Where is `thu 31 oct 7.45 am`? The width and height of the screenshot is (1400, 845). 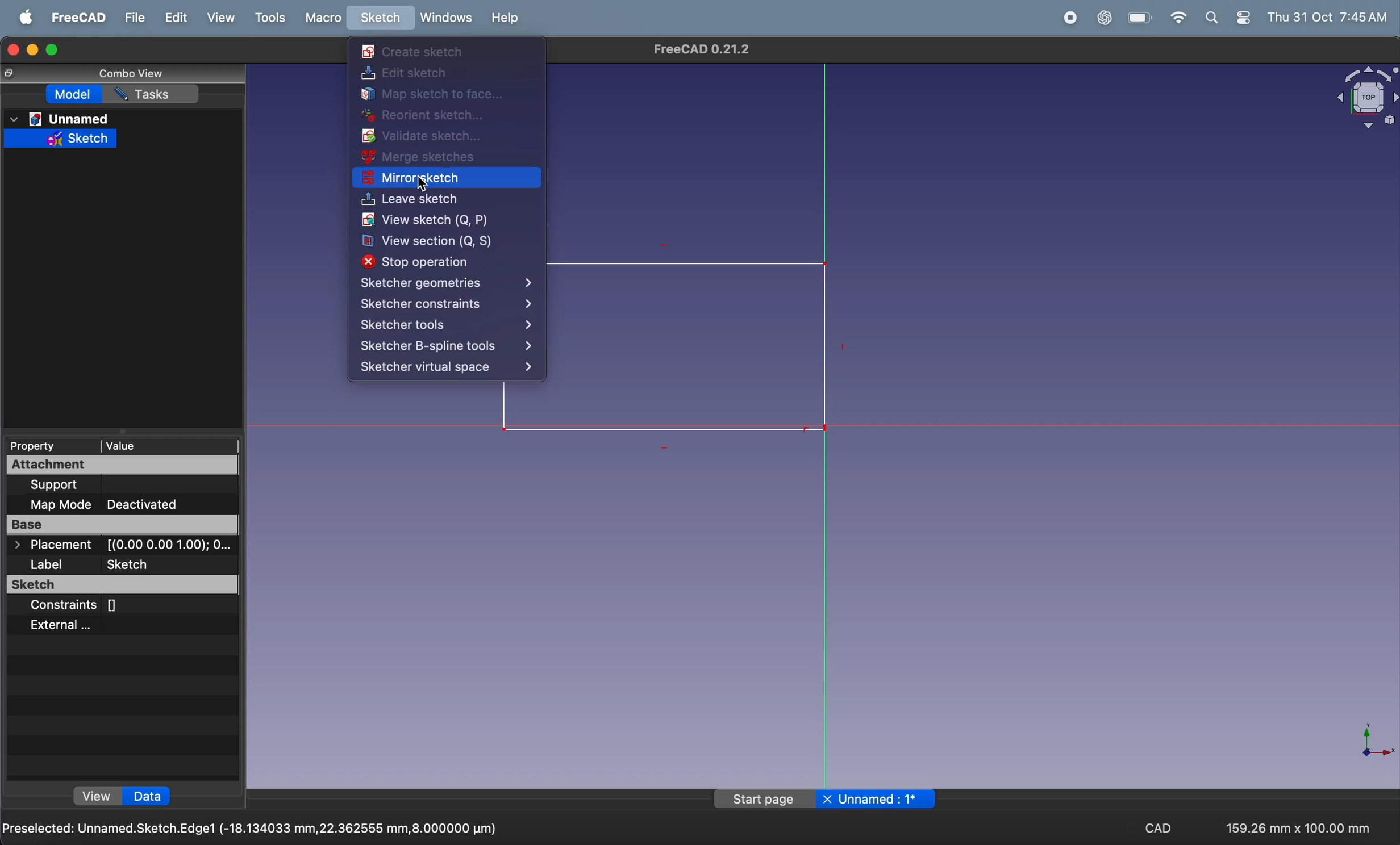
thu 31 oct 7.45 am is located at coordinates (1328, 16).